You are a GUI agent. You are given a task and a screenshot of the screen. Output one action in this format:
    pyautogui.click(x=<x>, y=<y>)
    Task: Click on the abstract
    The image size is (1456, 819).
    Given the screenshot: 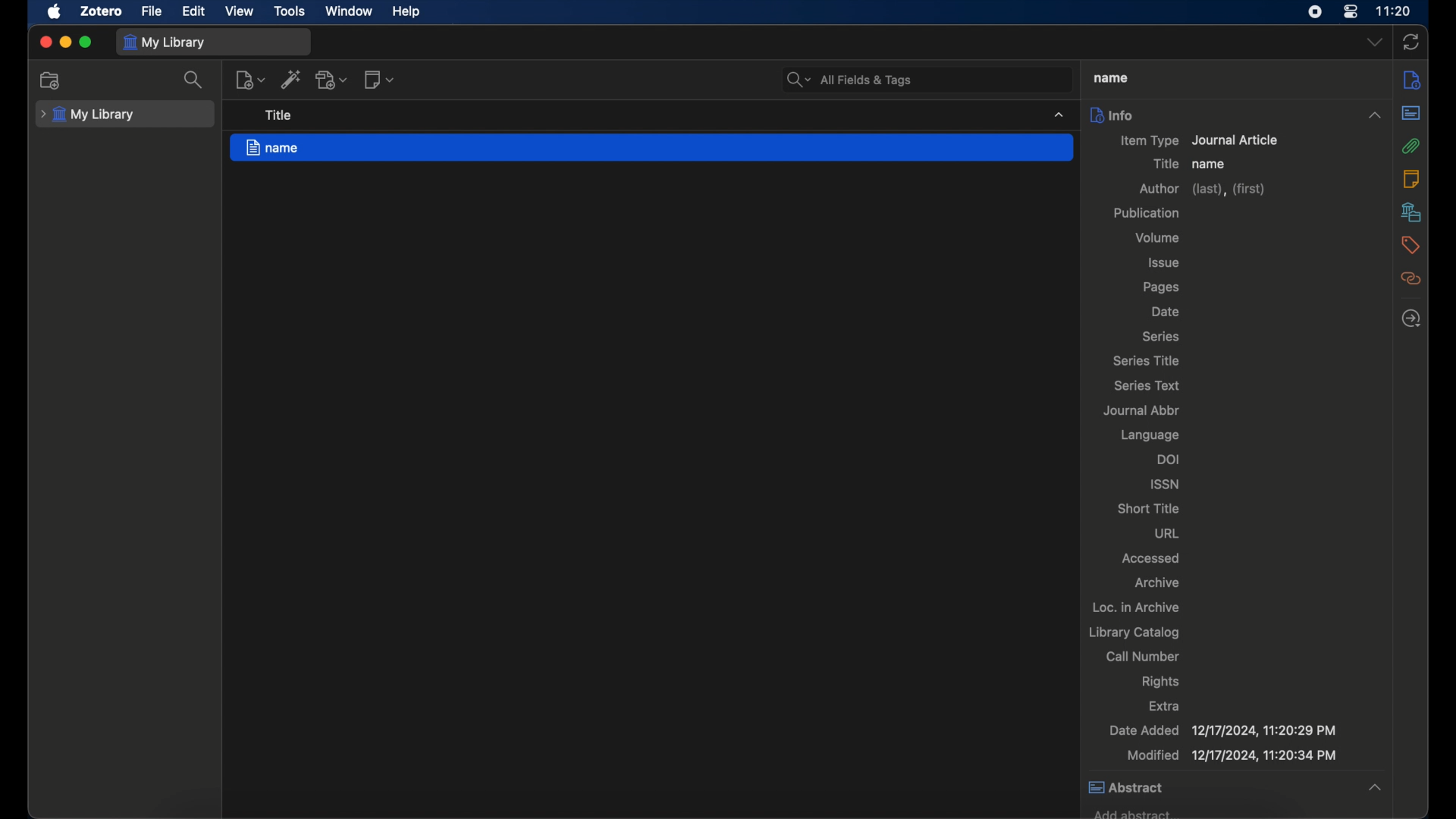 What is the action you would take?
    pyautogui.click(x=1411, y=112)
    